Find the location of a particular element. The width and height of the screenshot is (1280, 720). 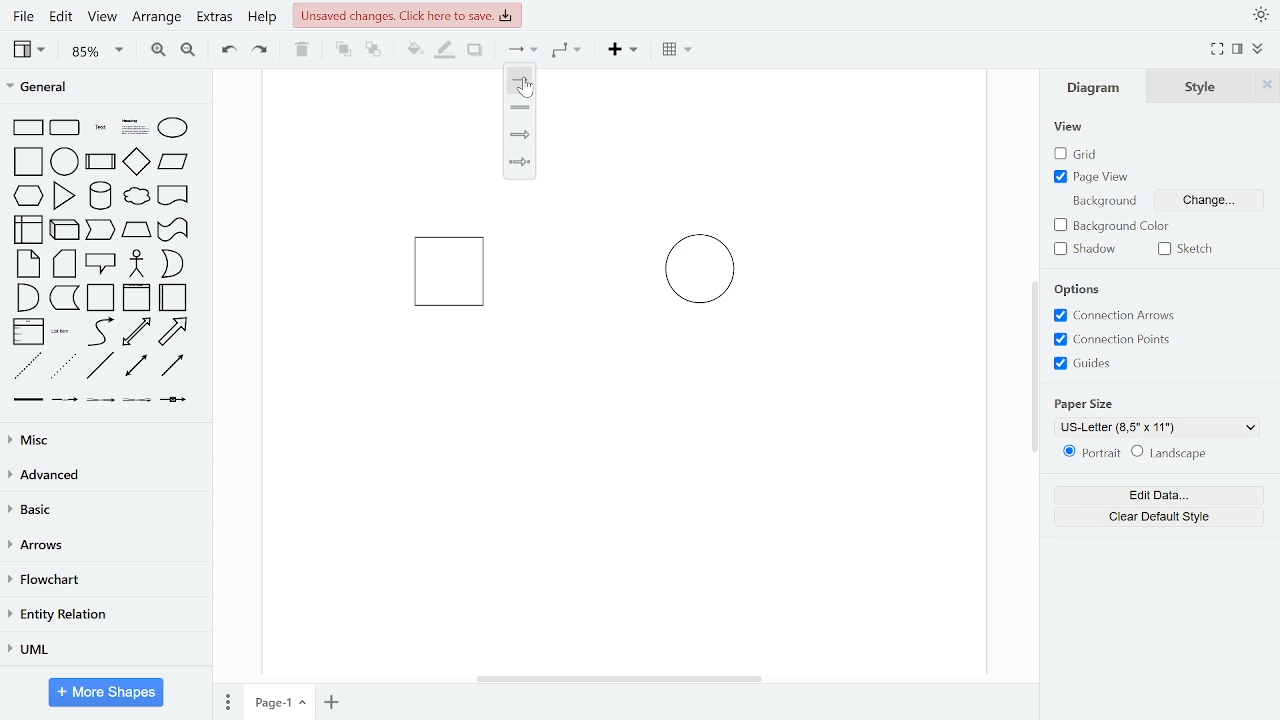

tape is located at coordinates (171, 230).